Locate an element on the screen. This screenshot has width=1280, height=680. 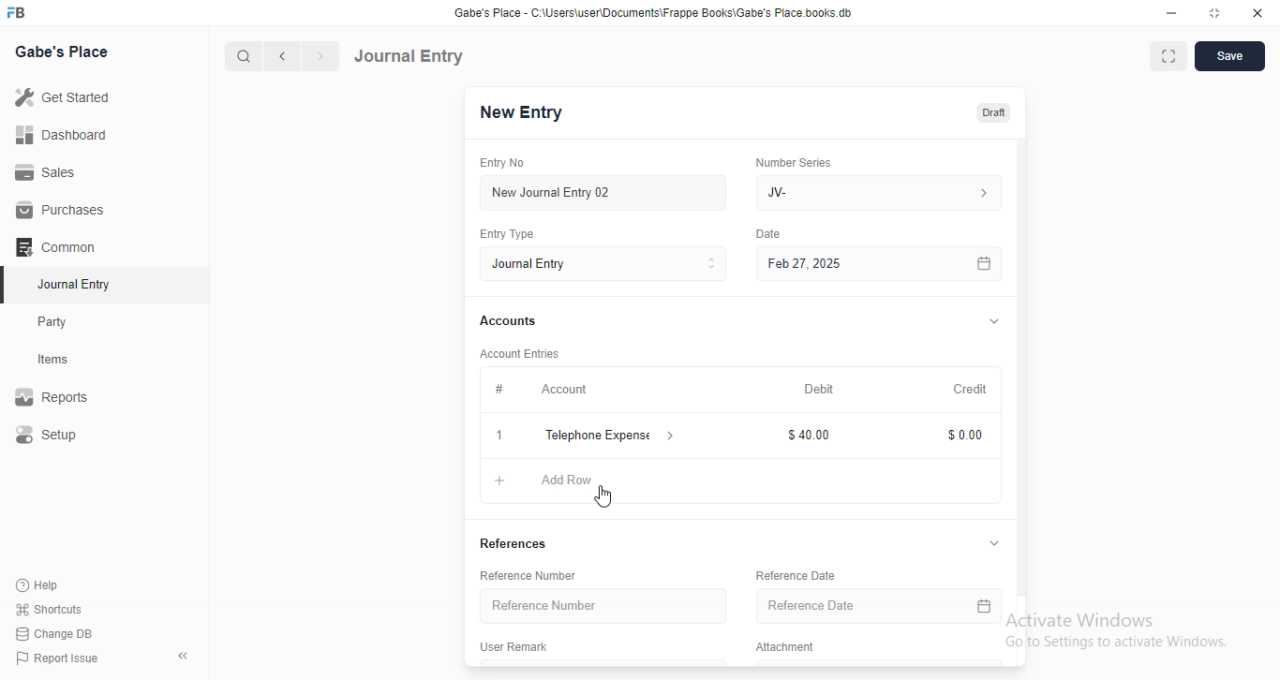
New Journal Entry 02 is located at coordinates (605, 193).